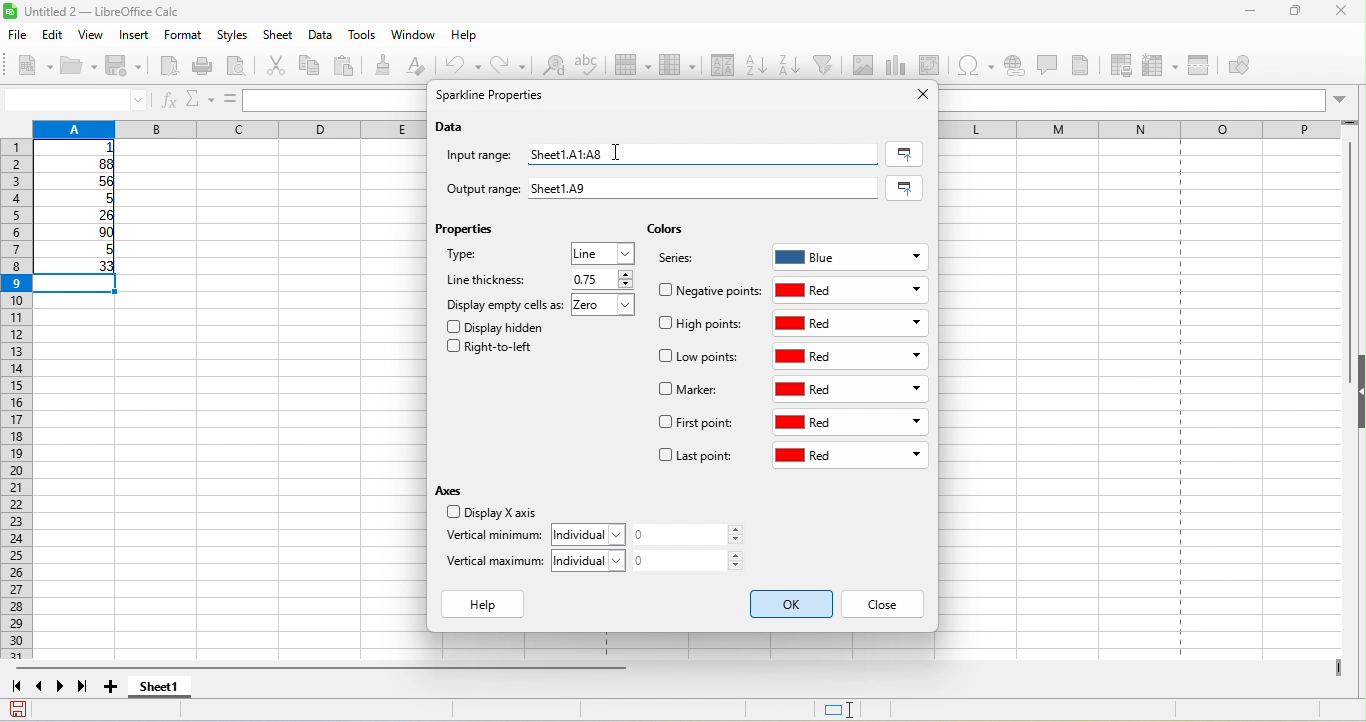 Image resolution: width=1366 pixels, height=722 pixels. I want to click on drag to view next columns, so click(1339, 668).